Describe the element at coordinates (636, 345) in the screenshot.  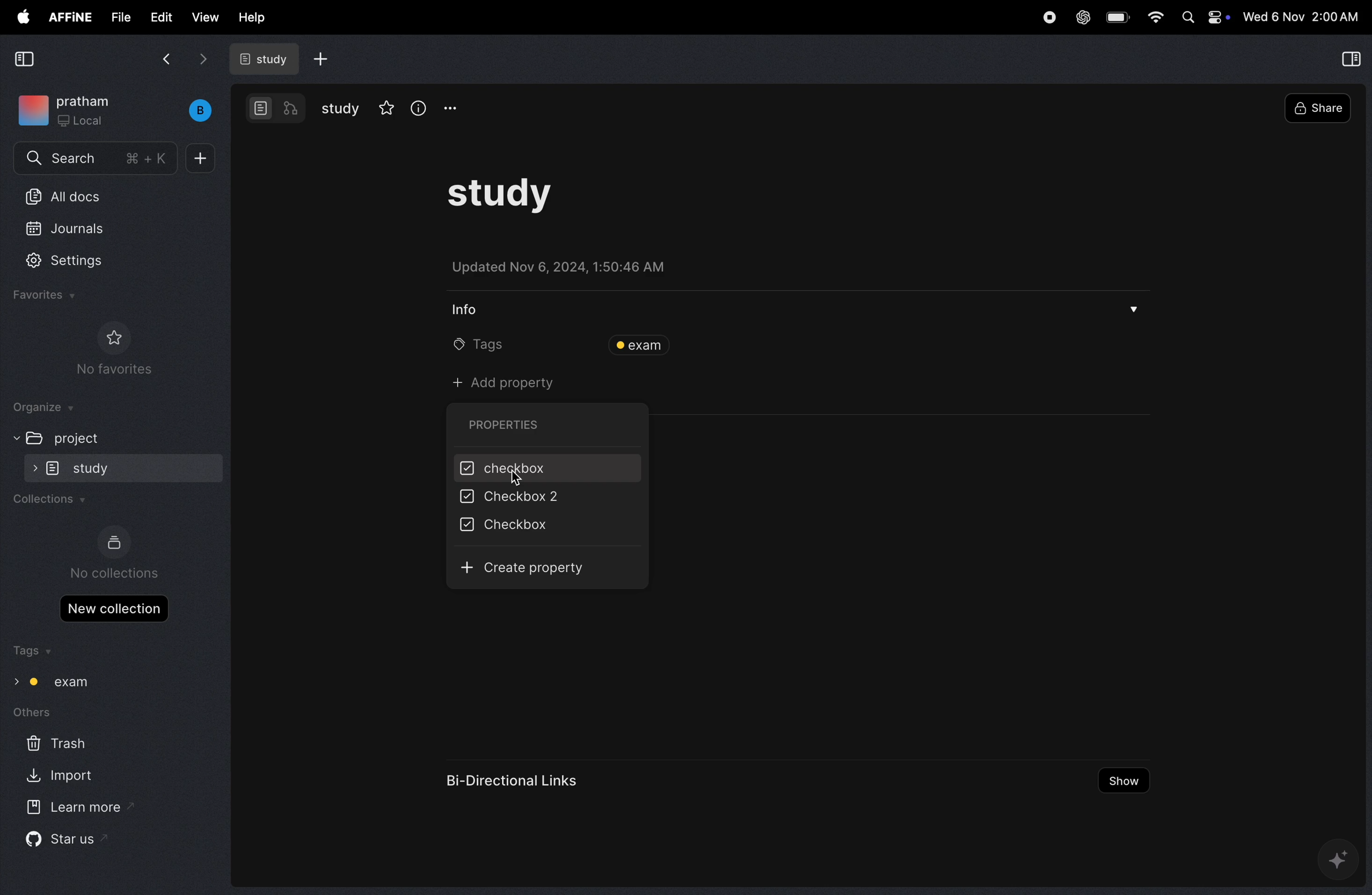
I see `exam tags` at that location.